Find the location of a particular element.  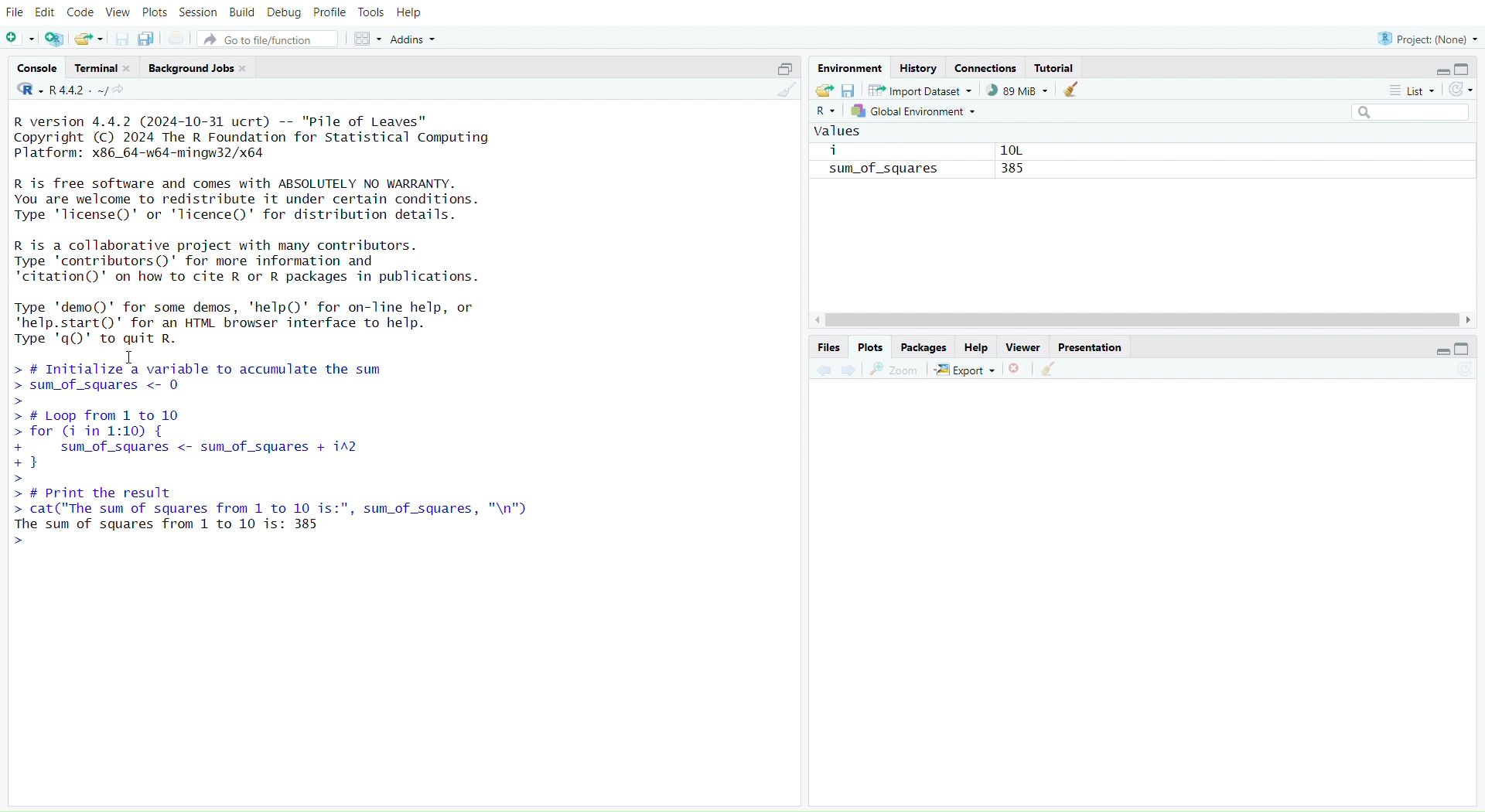

save current document is located at coordinates (121, 40).